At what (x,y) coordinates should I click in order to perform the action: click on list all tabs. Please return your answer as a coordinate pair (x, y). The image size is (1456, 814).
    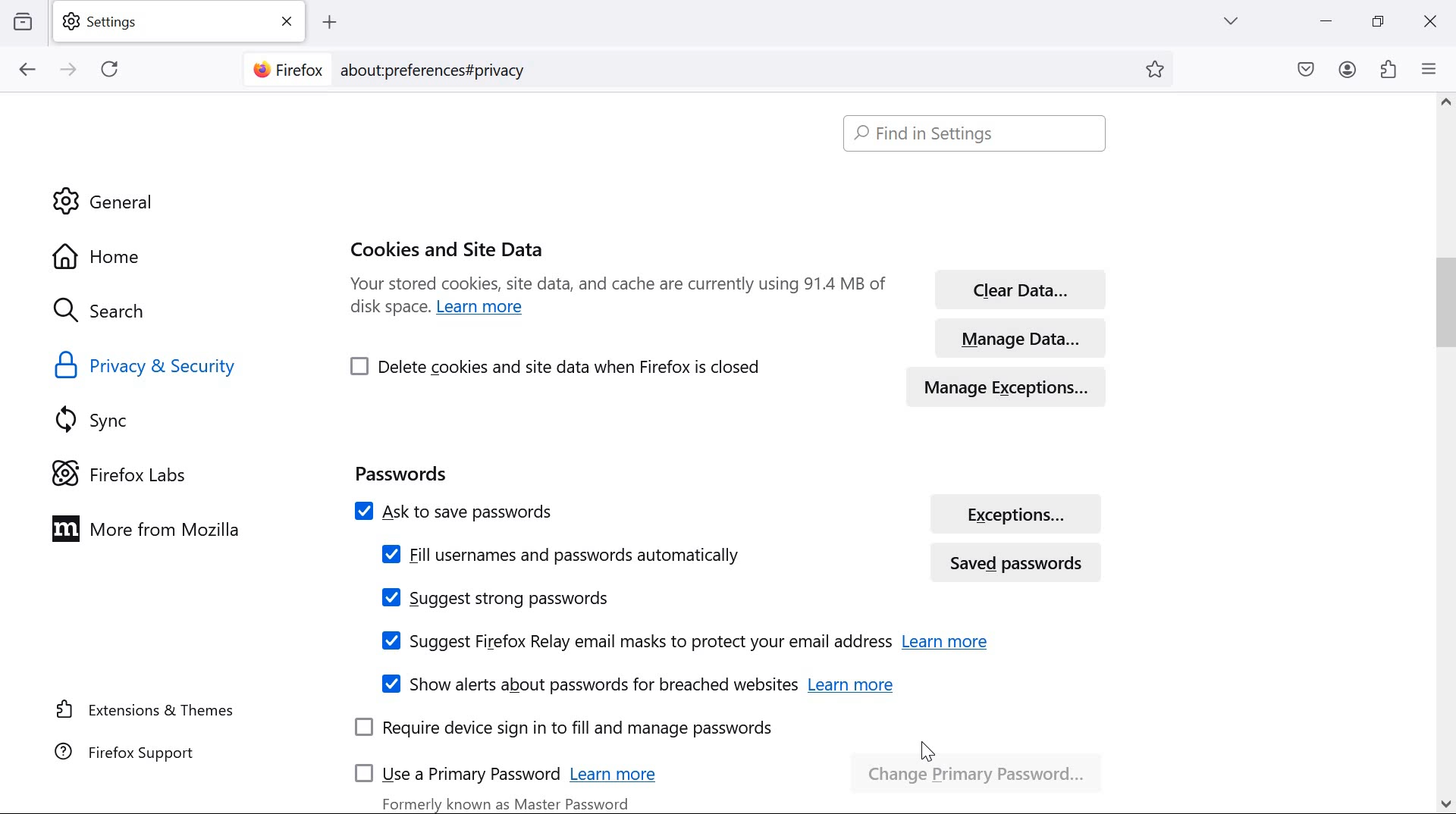
    Looking at the image, I should click on (1231, 20).